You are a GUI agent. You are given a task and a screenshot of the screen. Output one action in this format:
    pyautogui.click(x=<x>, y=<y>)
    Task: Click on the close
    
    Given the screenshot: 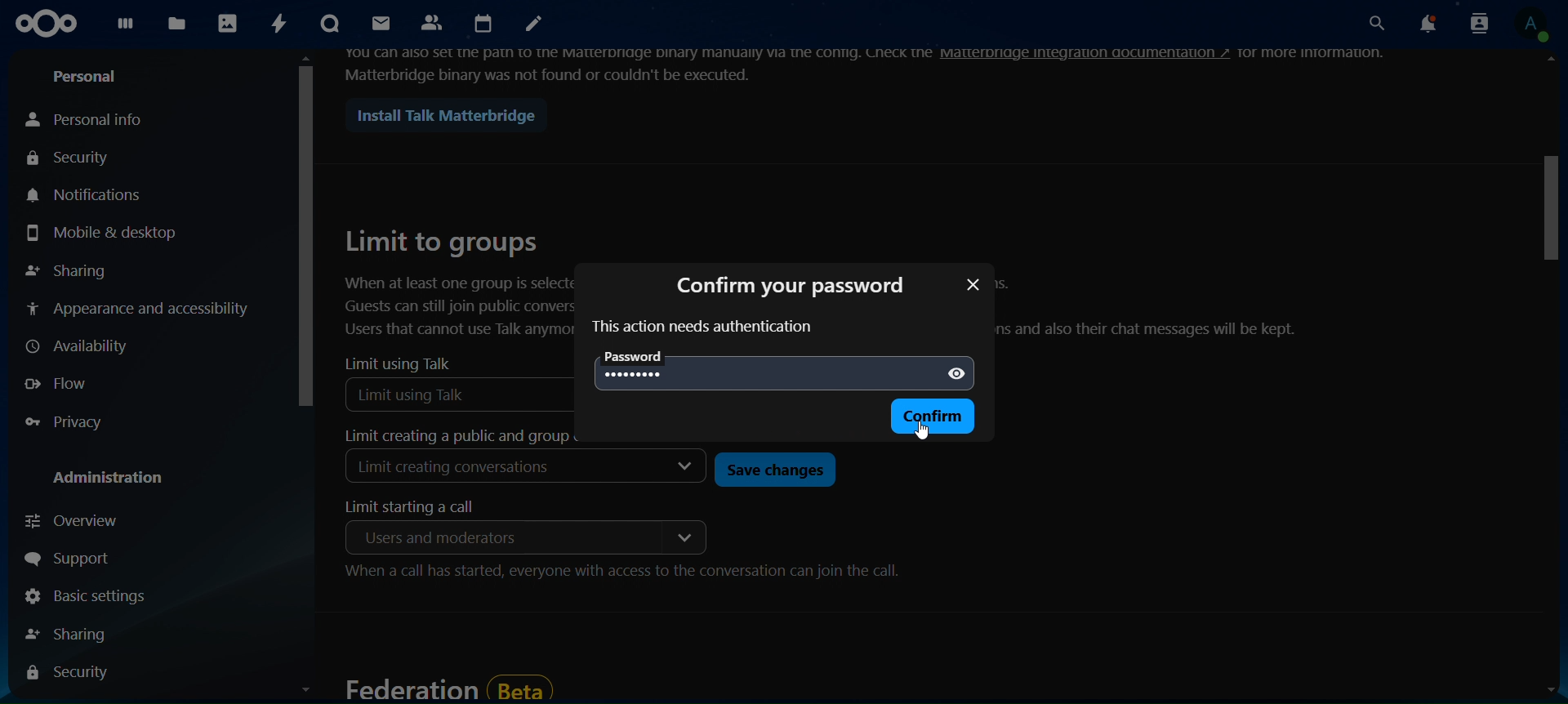 What is the action you would take?
    pyautogui.click(x=972, y=287)
    